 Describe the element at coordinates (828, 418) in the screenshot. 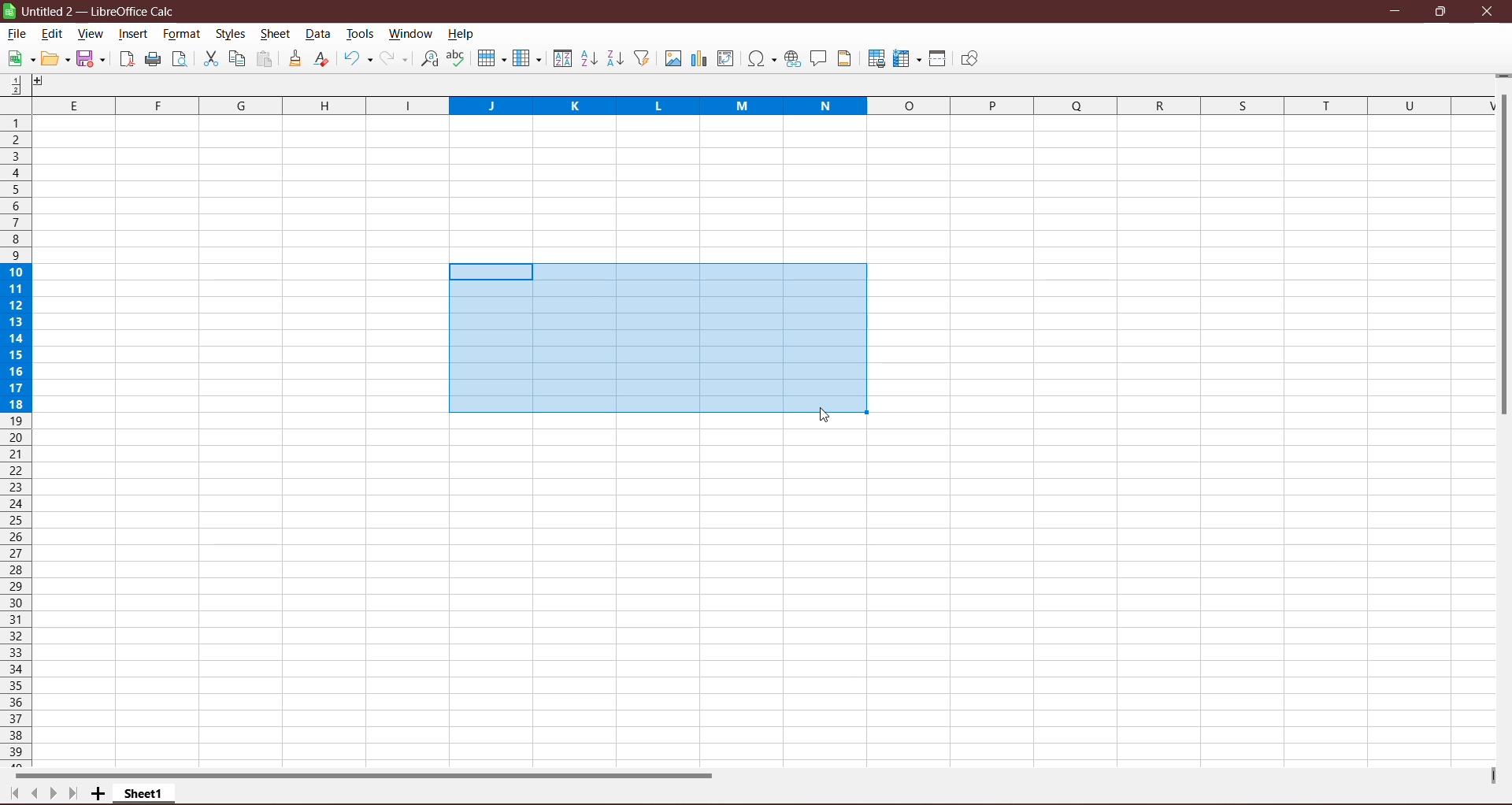

I see `cursor` at that location.